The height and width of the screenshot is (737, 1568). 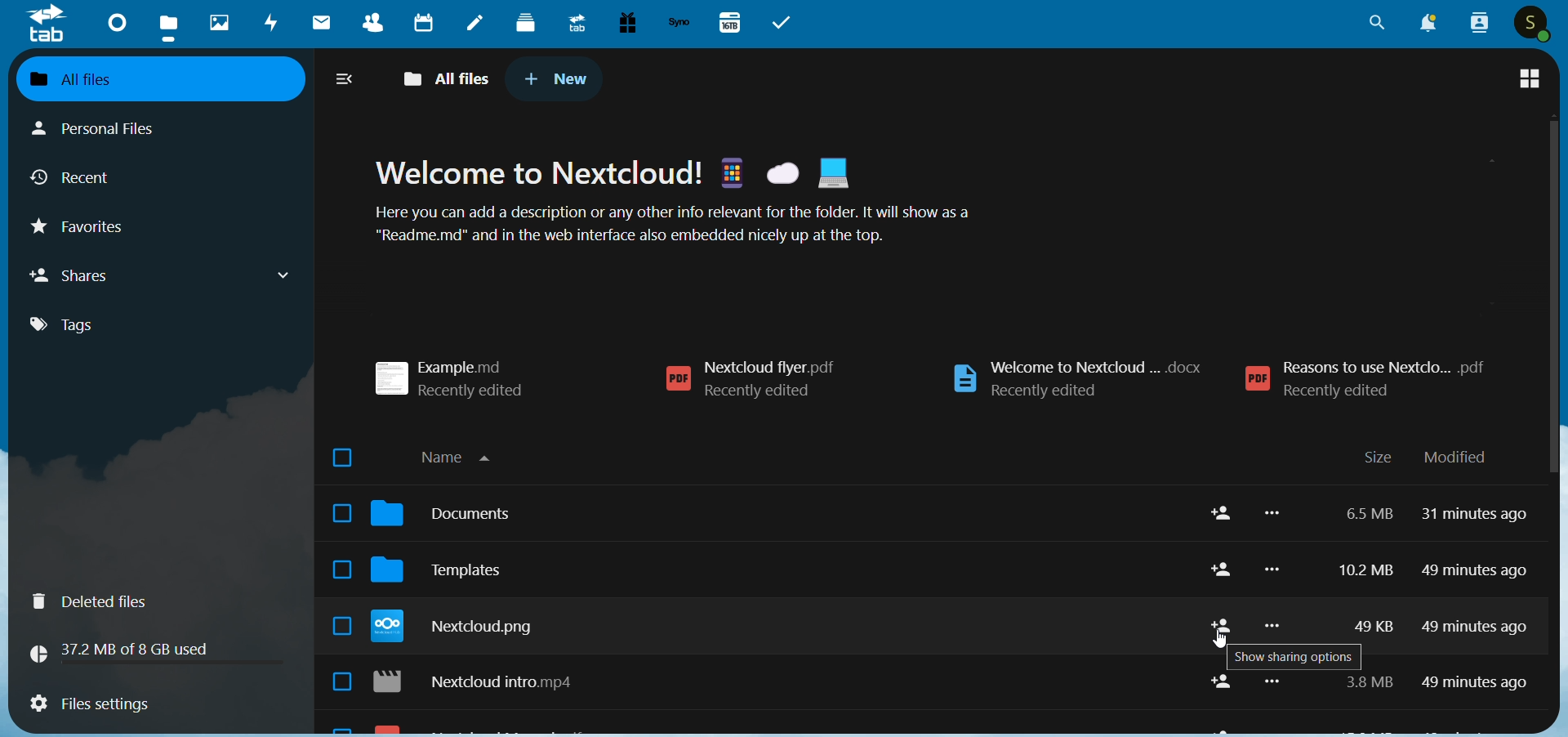 What do you see at coordinates (367, 25) in the screenshot?
I see `contacts` at bounding box center [367, 25].